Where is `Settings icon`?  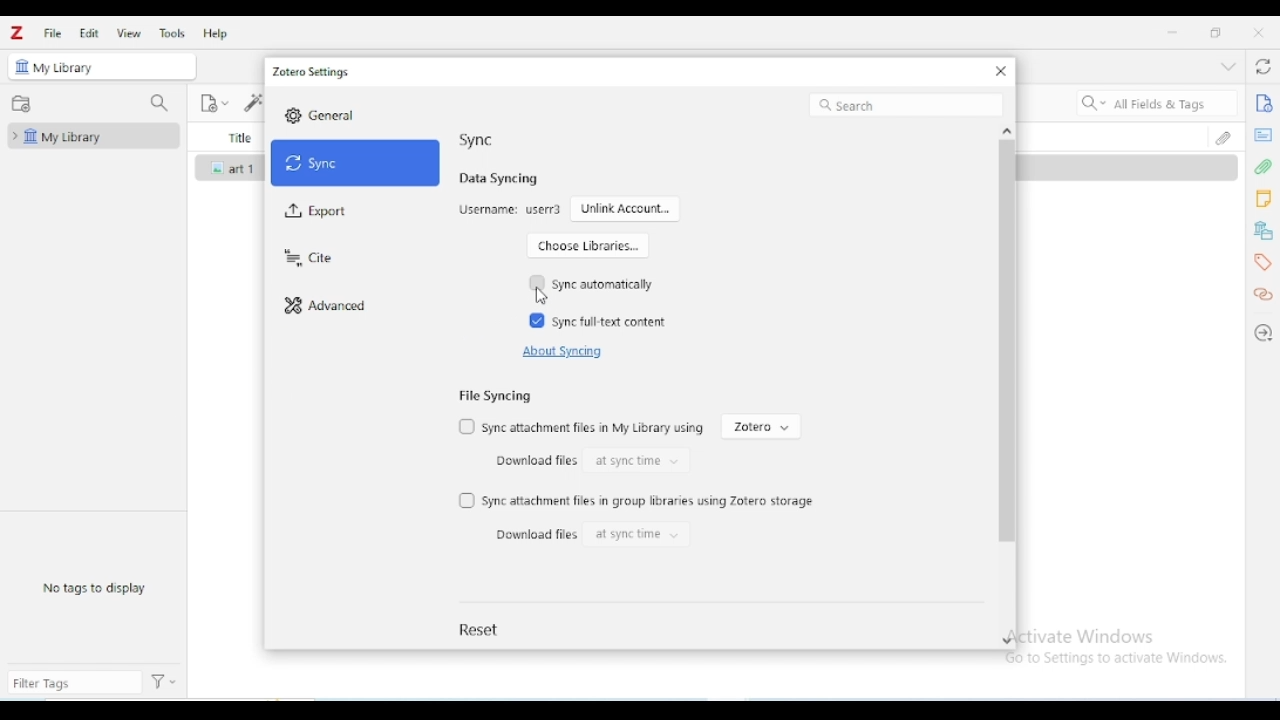 Settings icon is located at coordinates (293, 115).